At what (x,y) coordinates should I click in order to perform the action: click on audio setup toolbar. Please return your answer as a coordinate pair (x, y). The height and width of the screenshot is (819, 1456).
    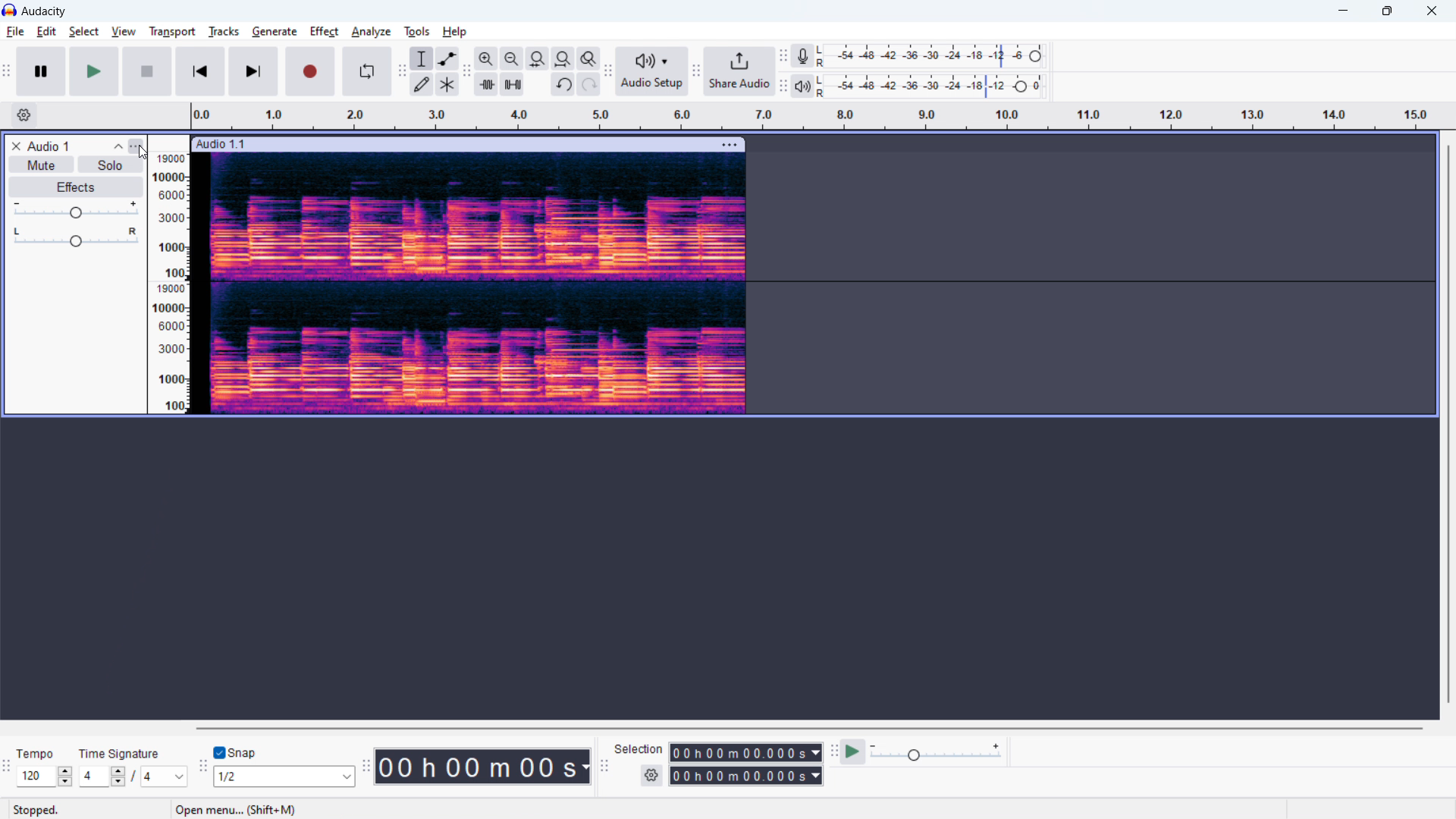
    Looking at the image, I should click on (608, 71).